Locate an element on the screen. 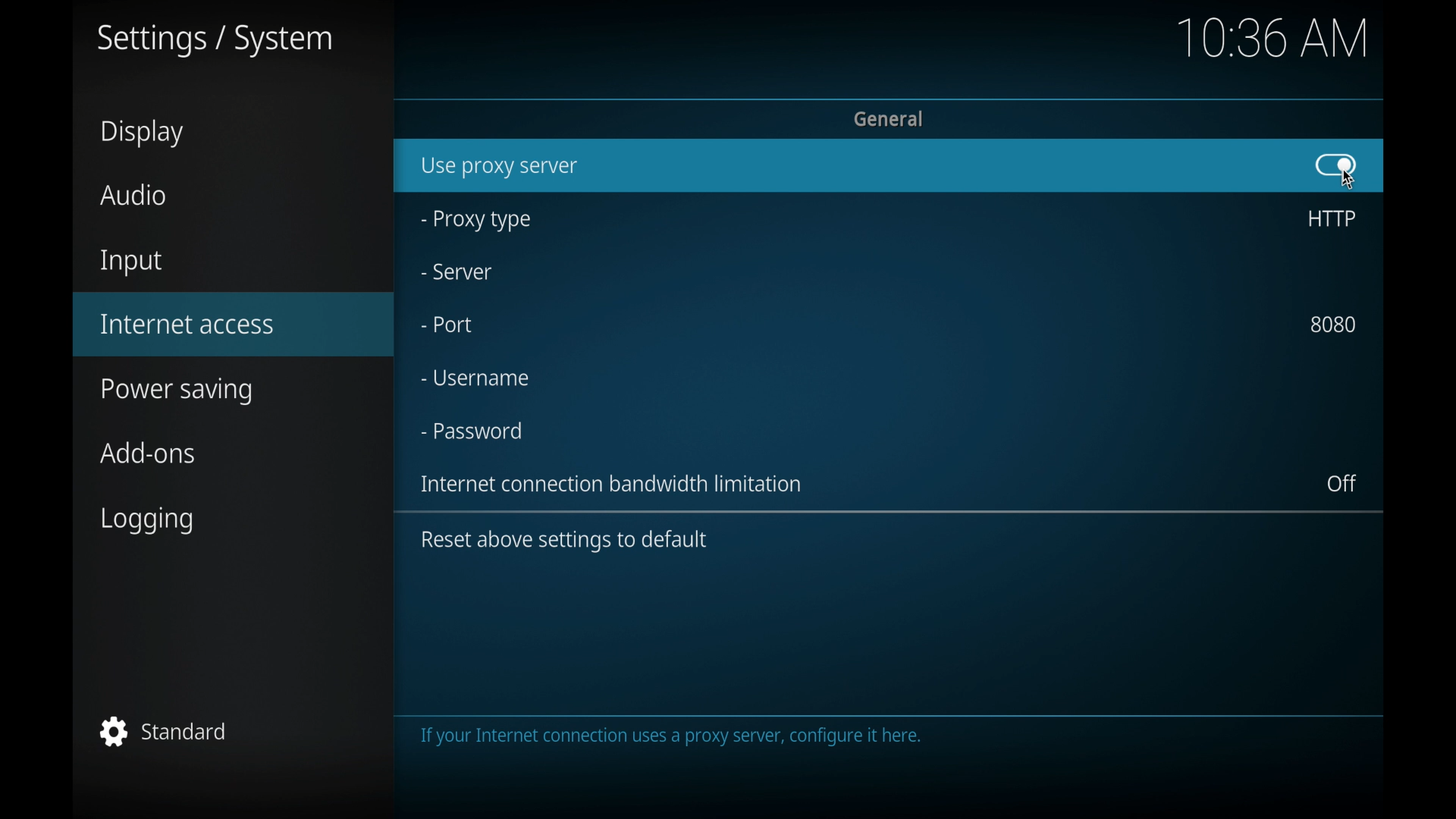 This screenshot has width=1456, height=819. cursor is located at coordinates (1350, 181).